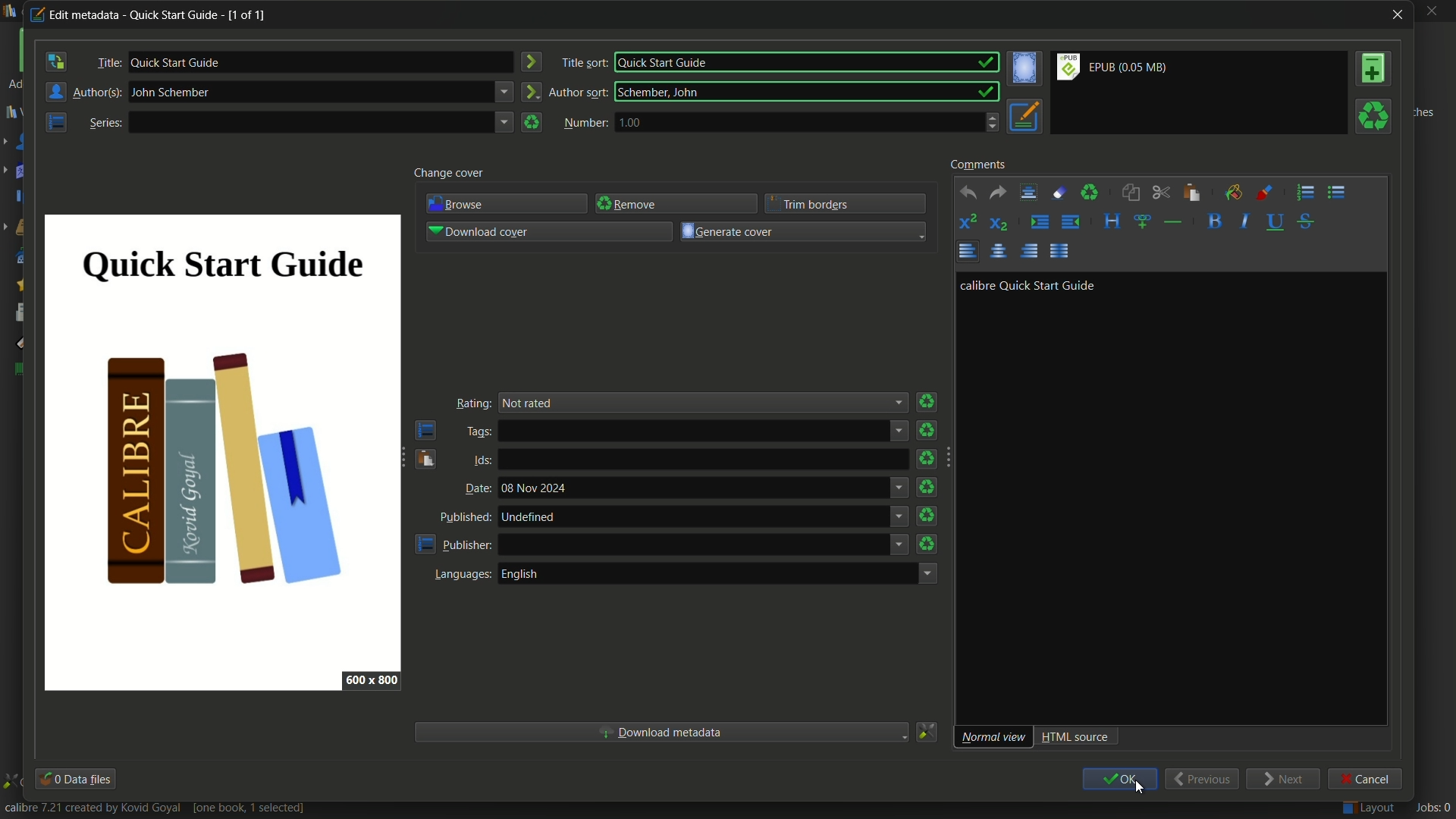 The image size is (1456, 819). What do you see at coordinates (899, 488) in the screenshot?
I see `dropdown` at bounding box center [899, 488].